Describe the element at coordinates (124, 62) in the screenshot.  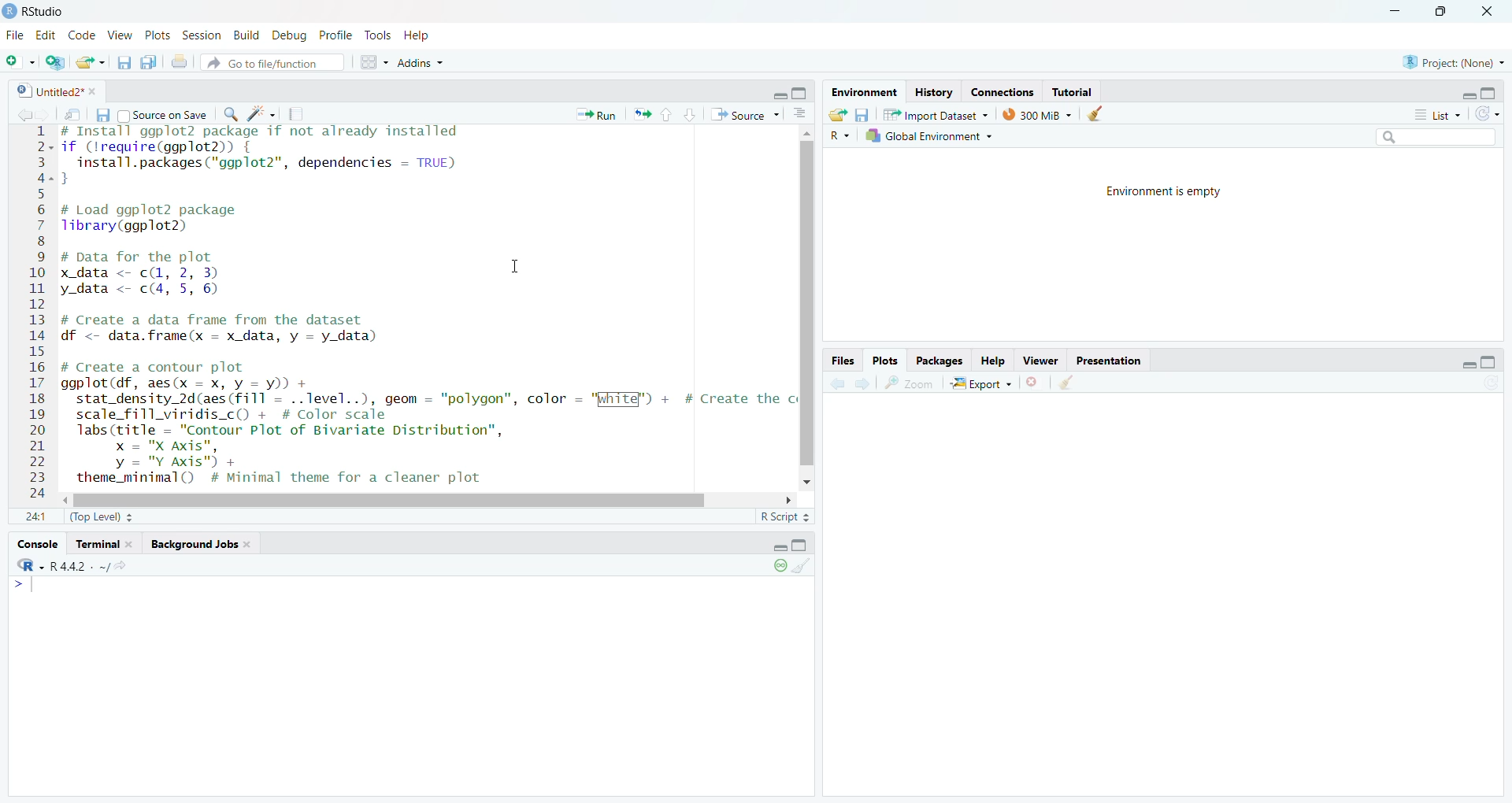
I see `save current document` at that location.